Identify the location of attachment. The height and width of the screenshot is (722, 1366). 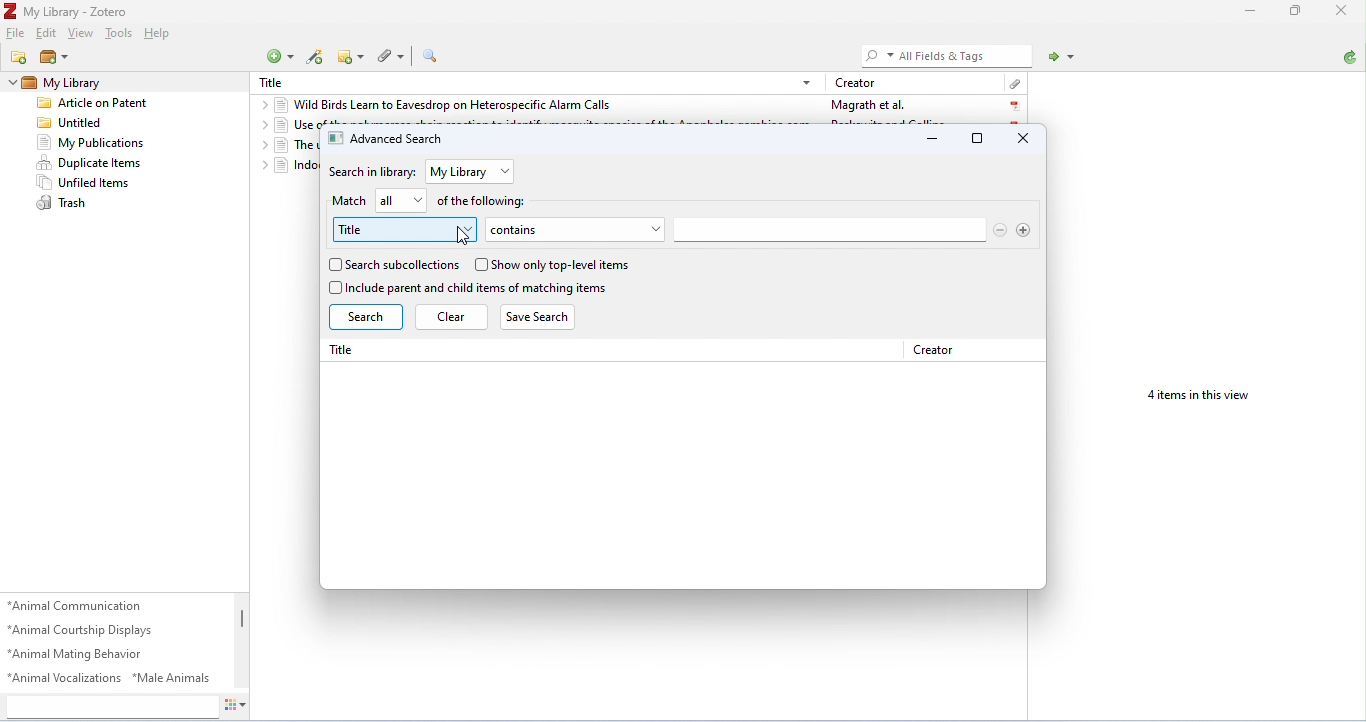
(1015, 83).